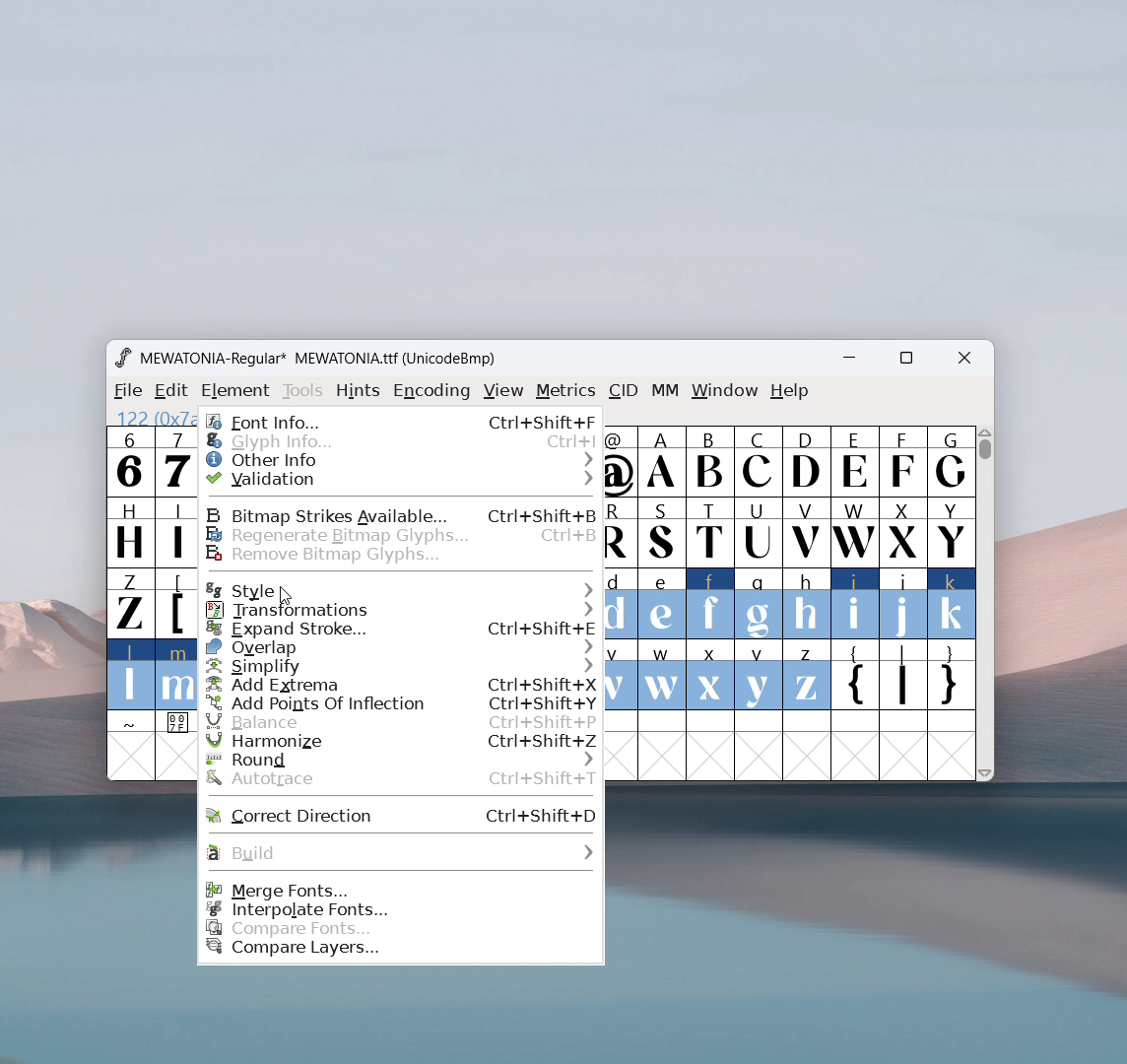 The height and width of the screenshot is (1064, 1127). Describe the element at coordinates (709, 462) in the screenshot. I see `B` at that location.